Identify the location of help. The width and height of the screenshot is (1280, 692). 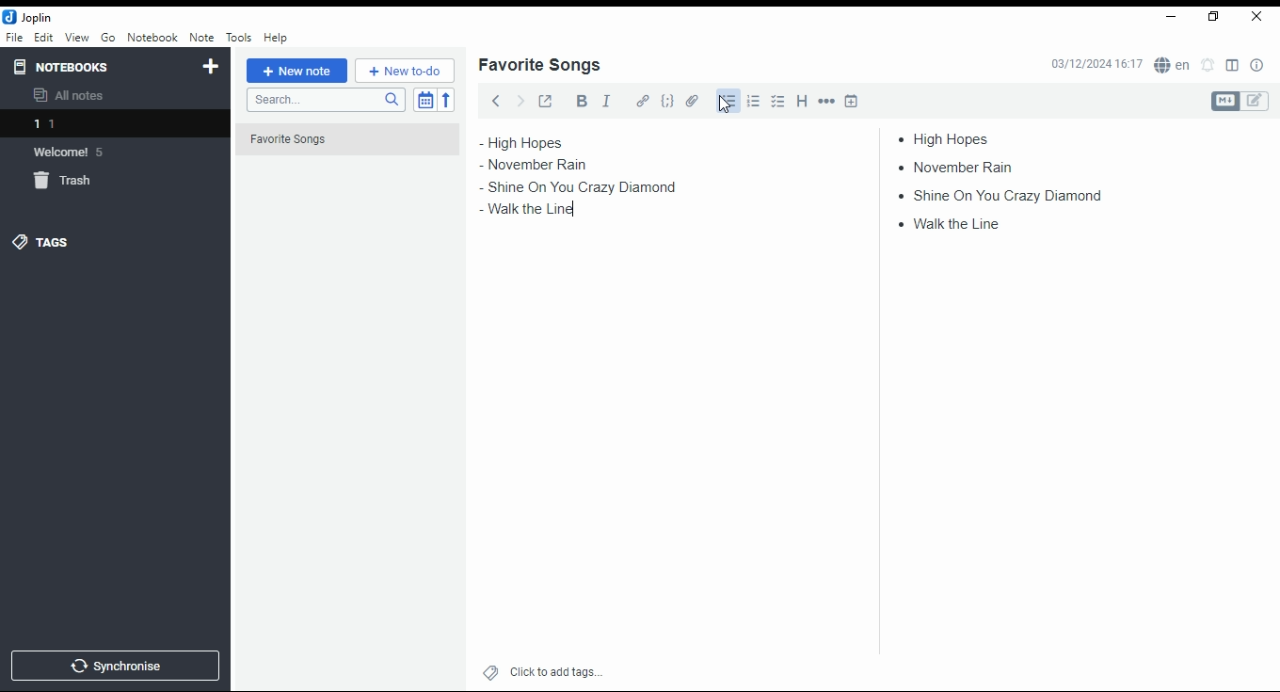
(275, 38).